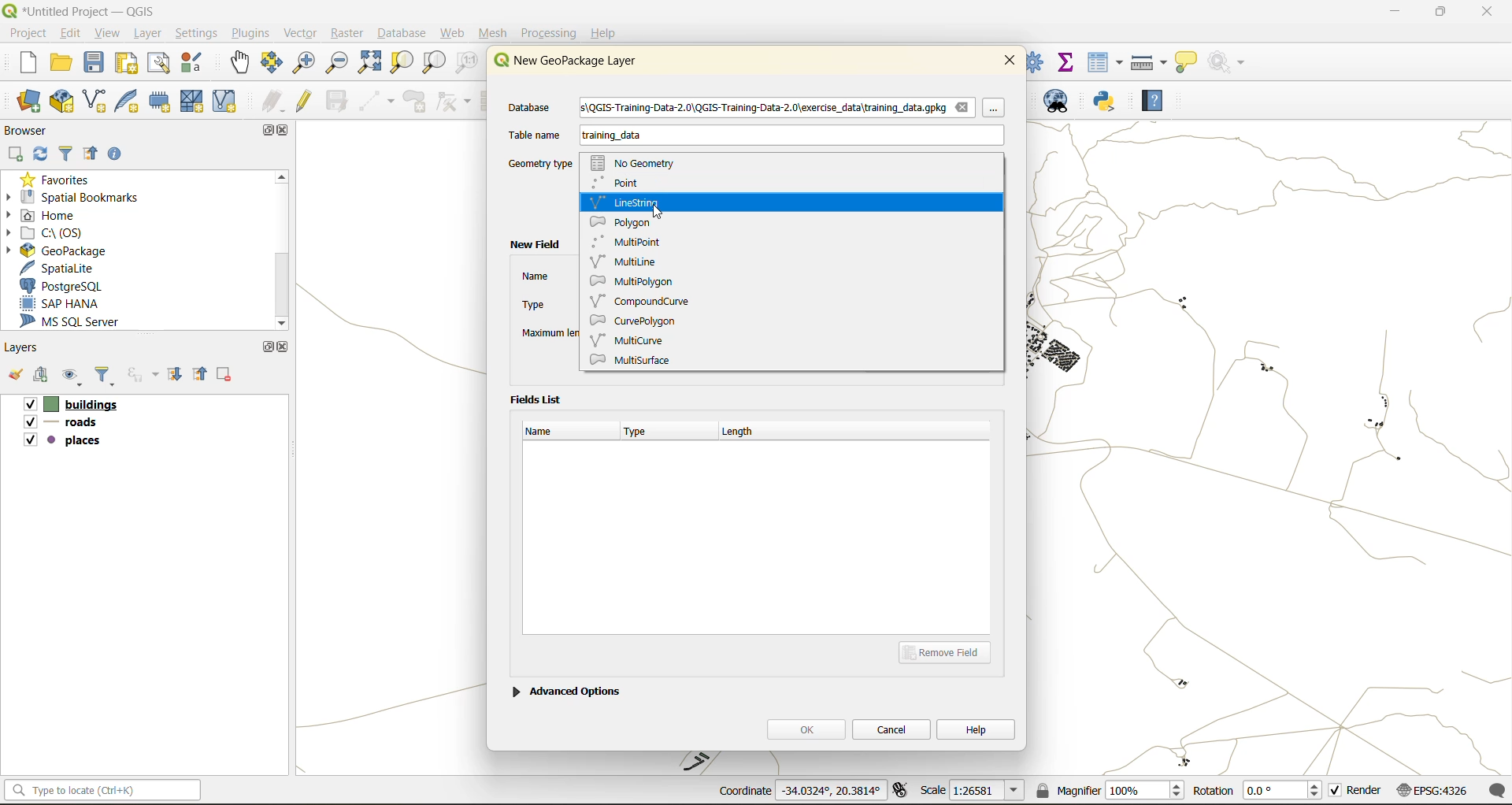 Image resolution: width=1512 pixels, height=805 pixels. I want to click on toggle extents, so click(902, 792).